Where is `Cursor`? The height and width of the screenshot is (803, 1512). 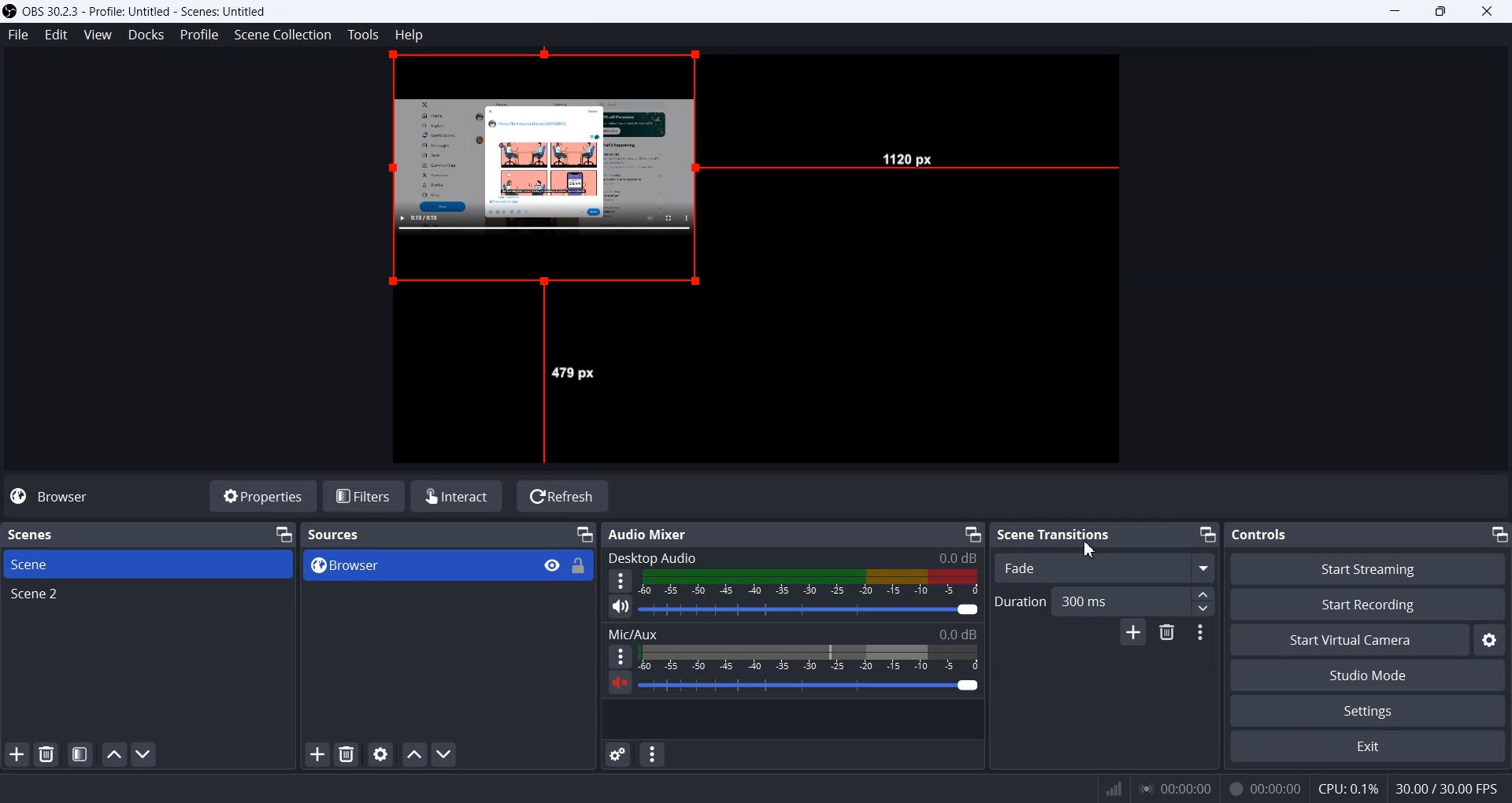
Cursor is located at coordinates (1091, 546).